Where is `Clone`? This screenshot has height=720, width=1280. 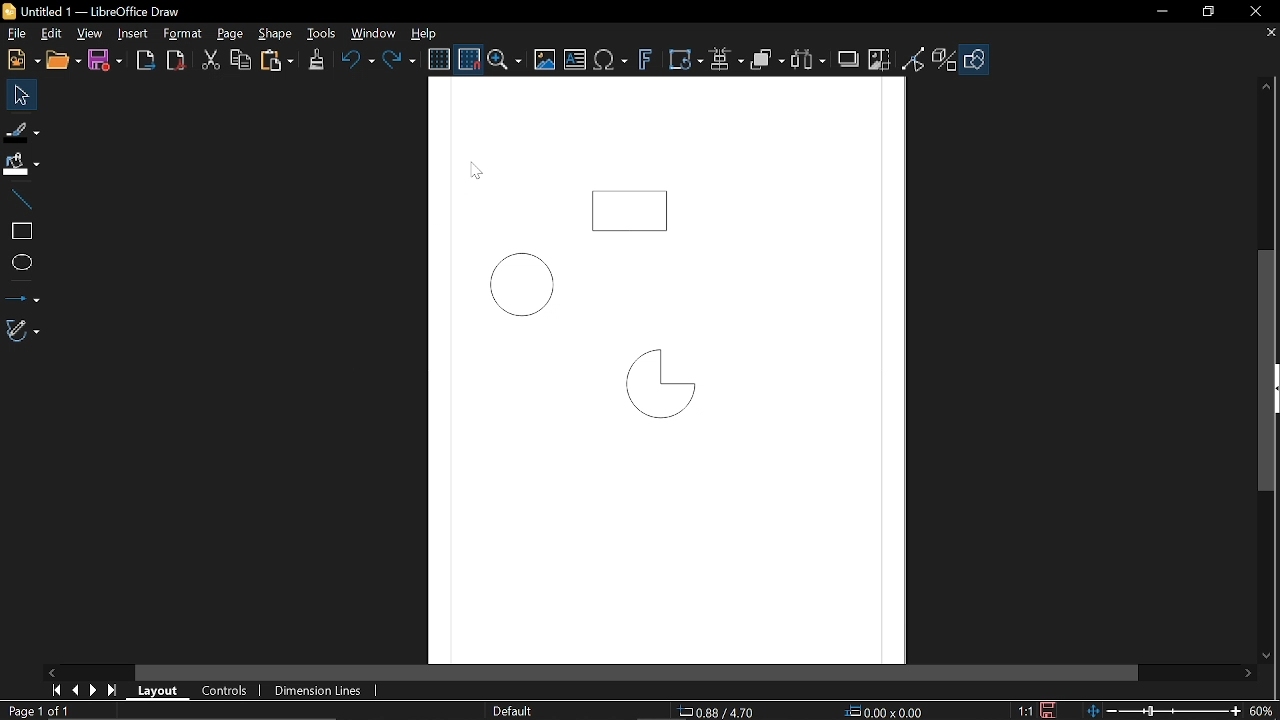
Clone is located at coordinates (315, 62).